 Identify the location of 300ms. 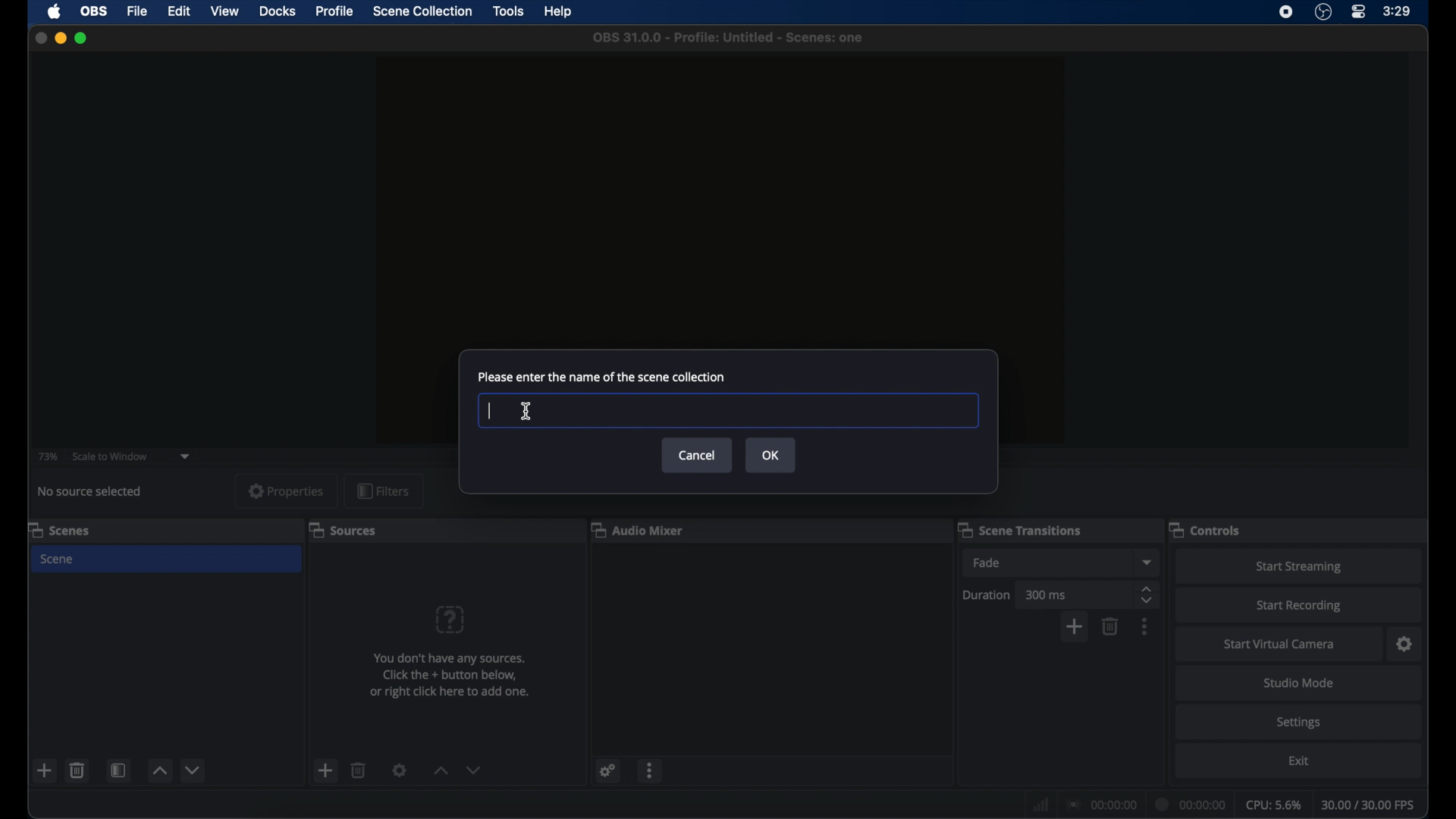
(1046, 595).